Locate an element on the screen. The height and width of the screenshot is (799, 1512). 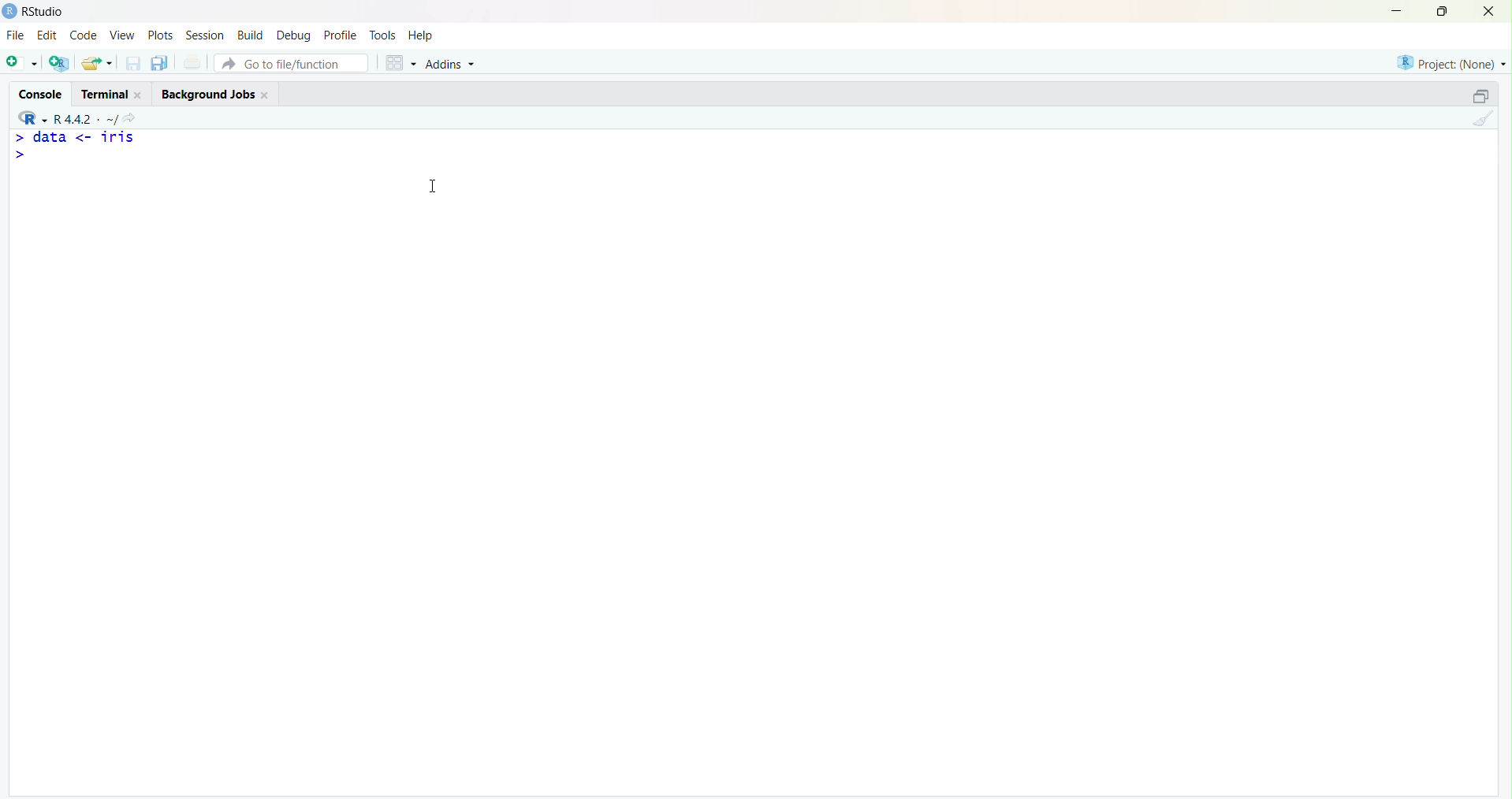
Close is located at coordinates (1489, 13).